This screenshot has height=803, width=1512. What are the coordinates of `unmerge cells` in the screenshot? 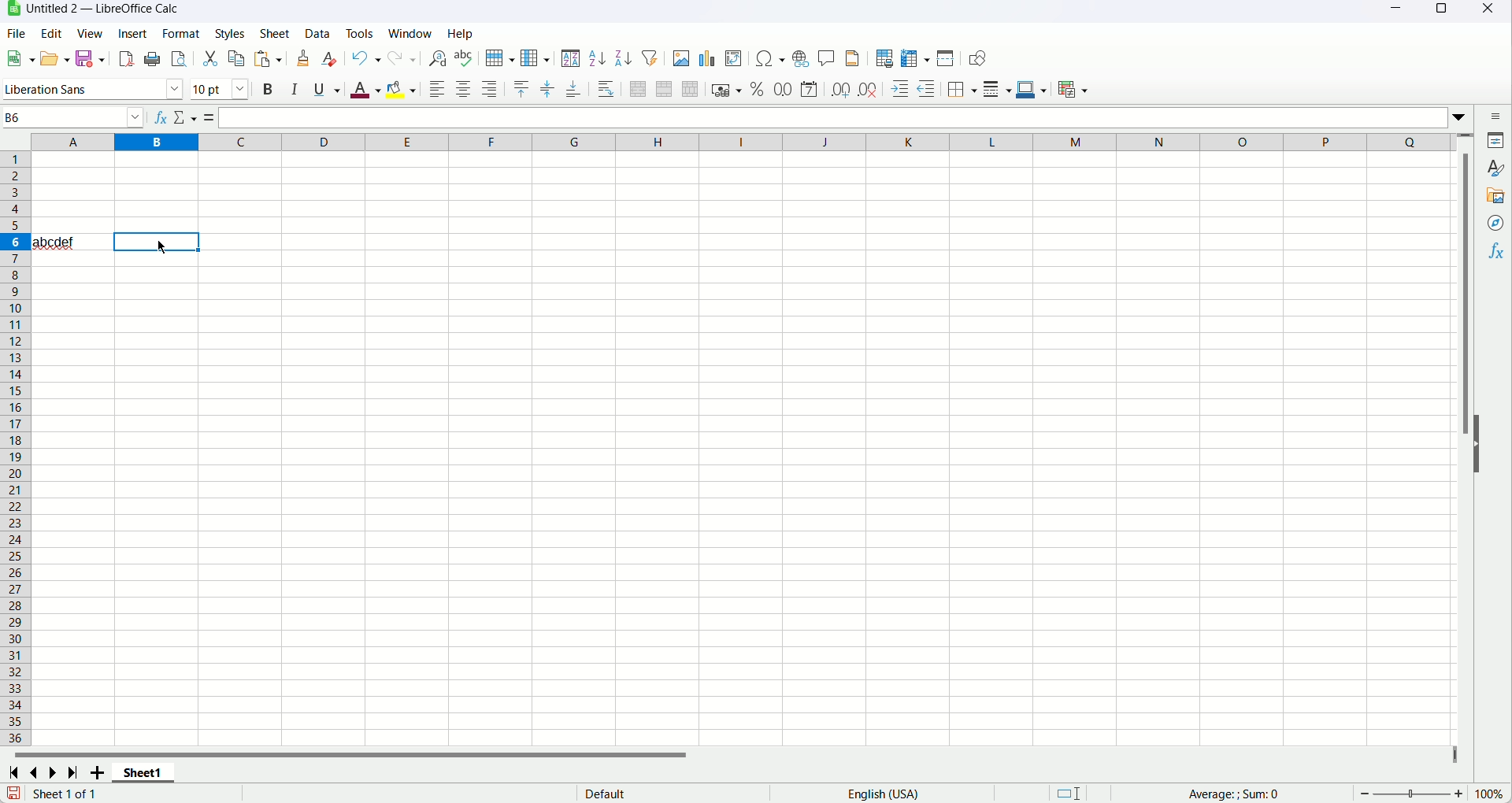 It's located at (691, 91).